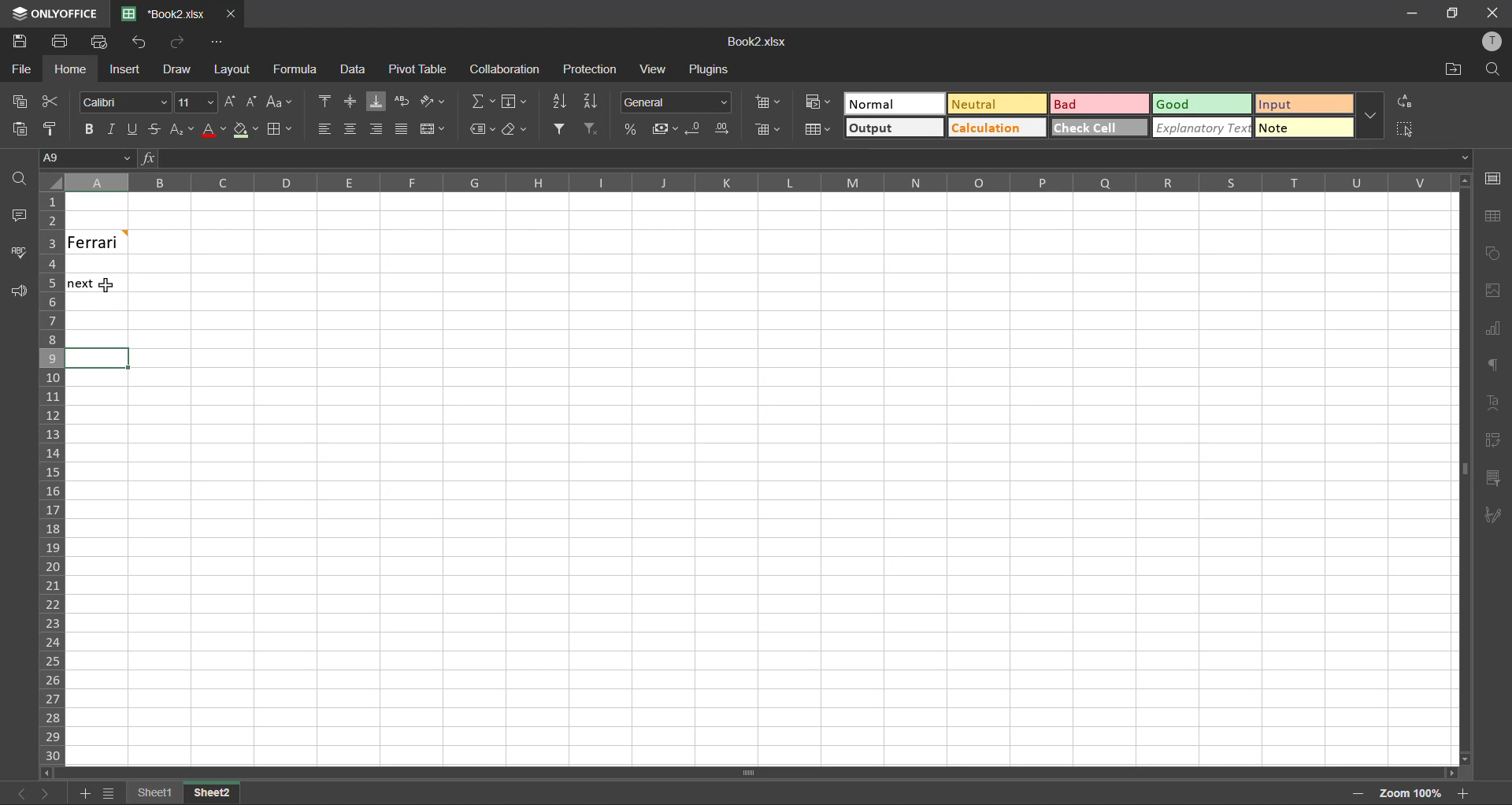 This screenshot has height=805, width=1512. Describe the element at coordinates (324, 128) in the screenshot. I see `align left` at that location.